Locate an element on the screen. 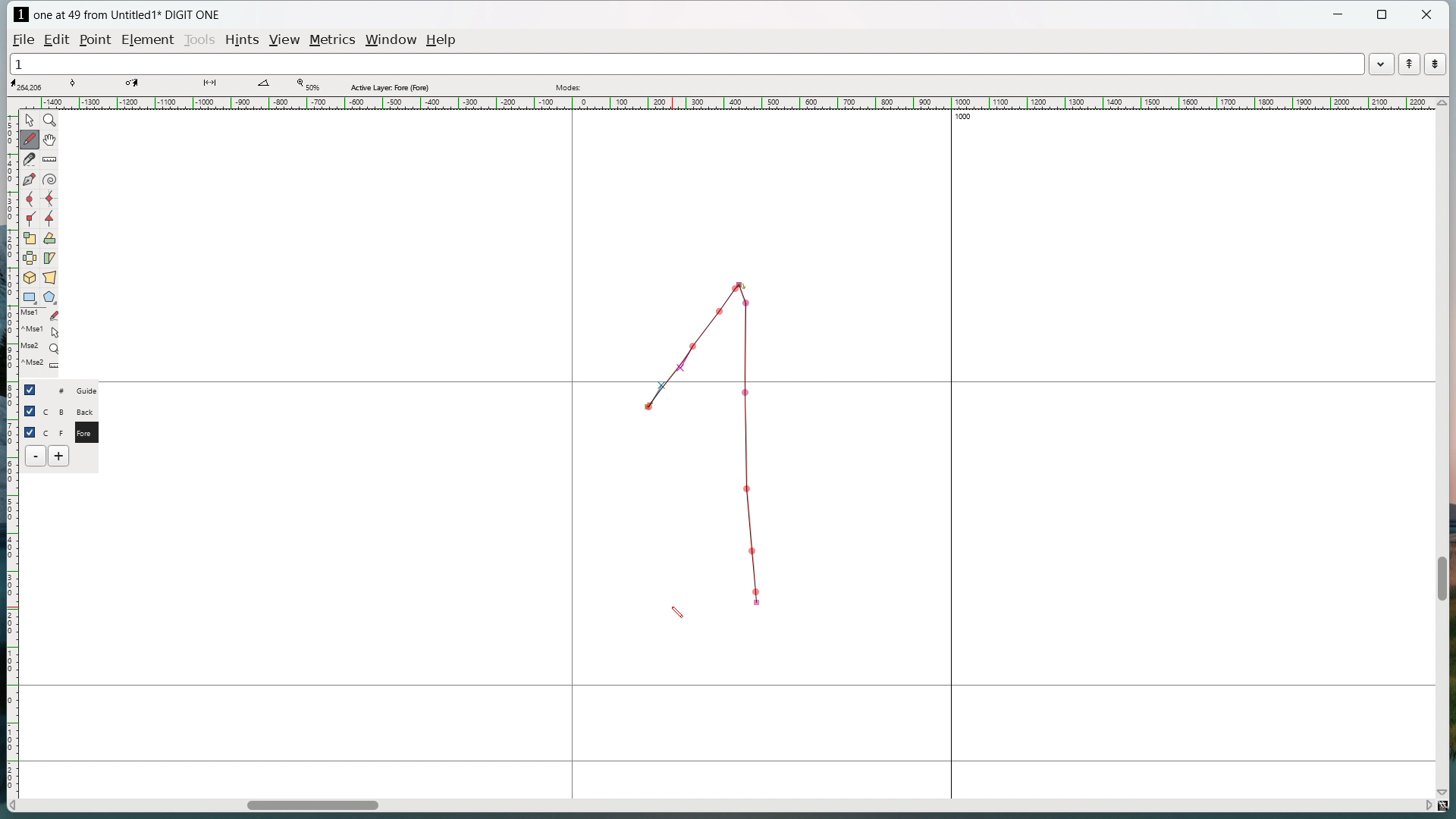 This screenshot has width=1456, height=819. 1 is located at coordinates (686, 63).